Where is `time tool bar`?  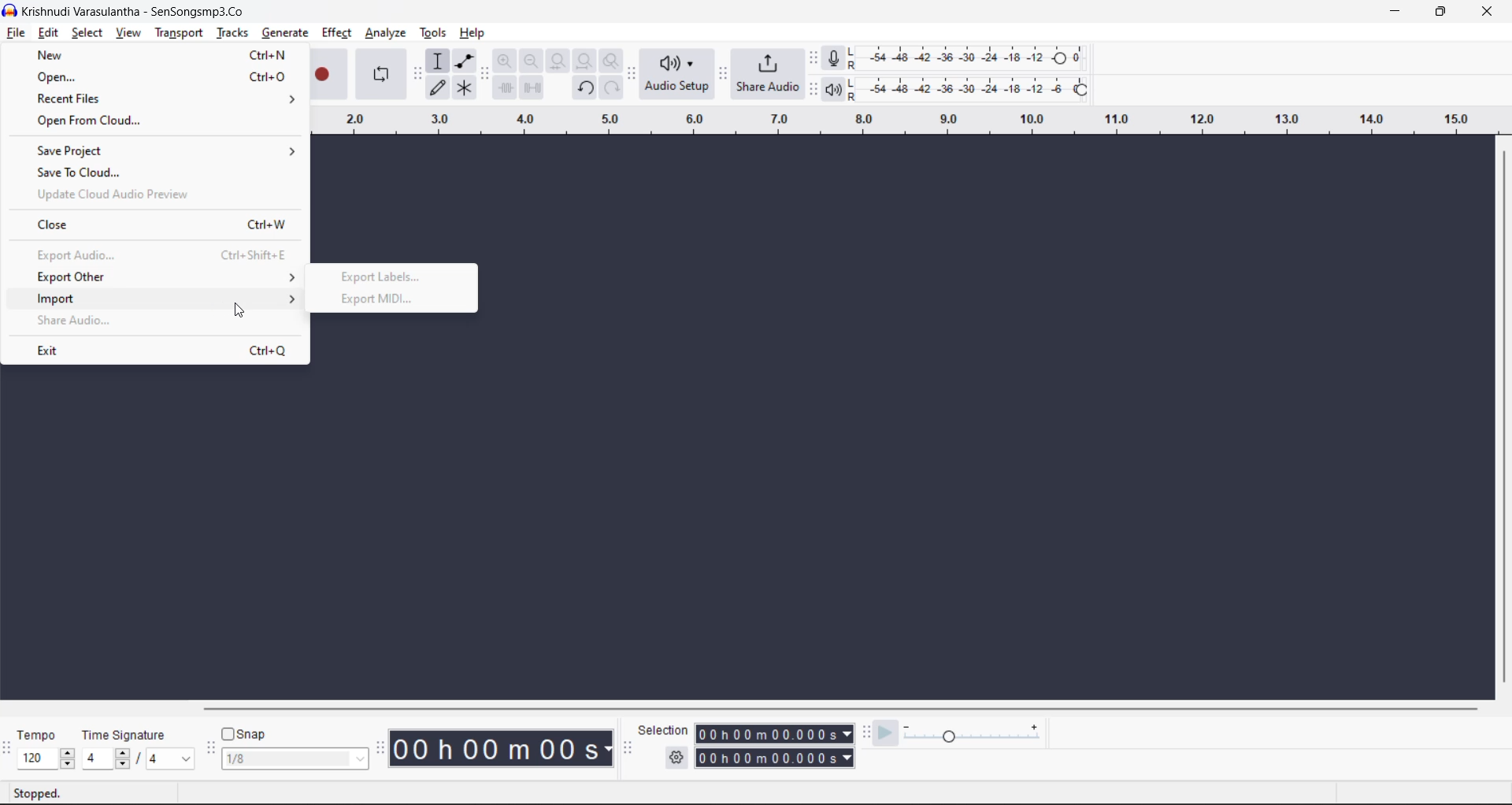
time tool bar is located at coordinates (383, 747).